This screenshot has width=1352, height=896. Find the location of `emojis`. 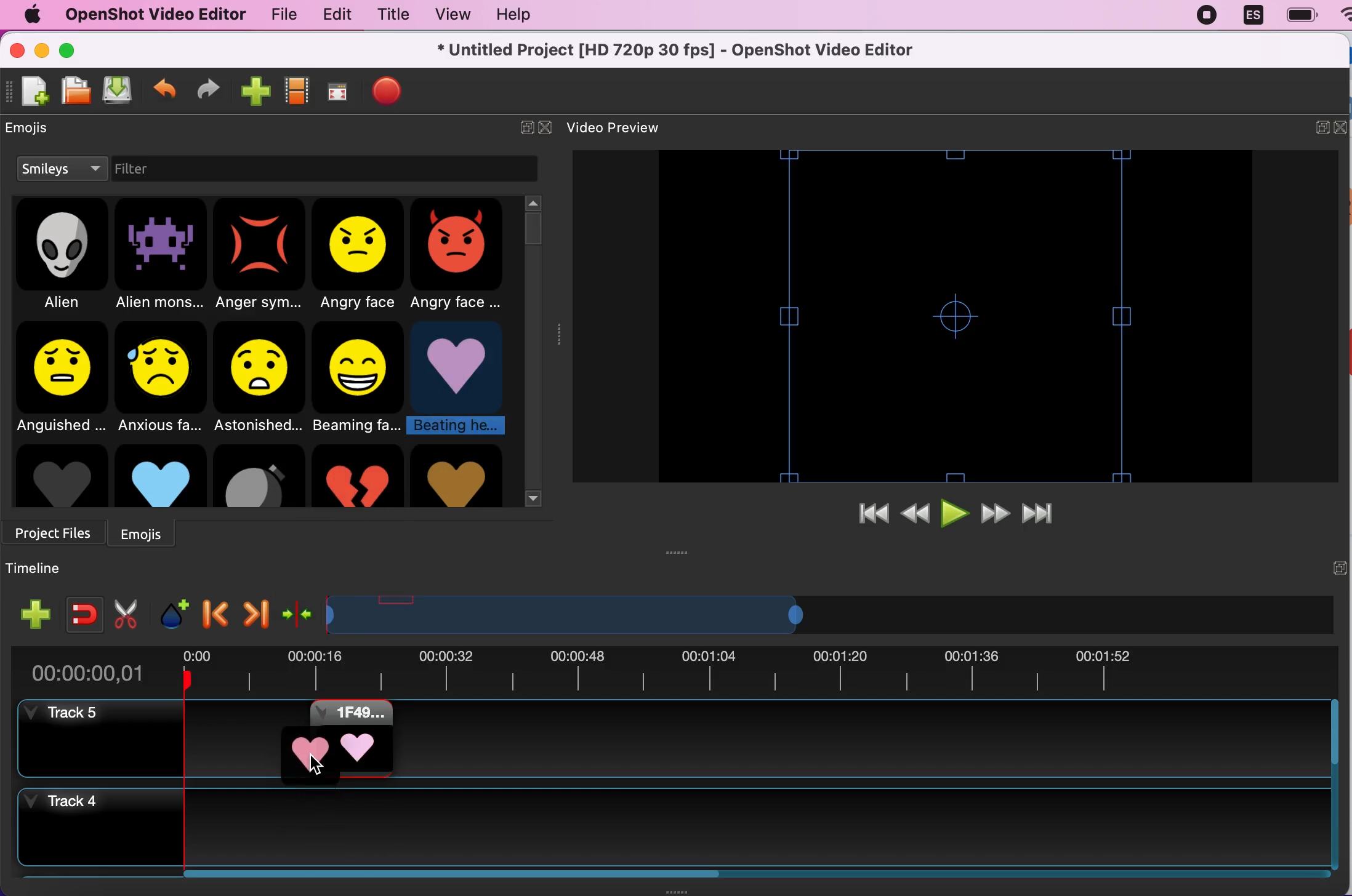

emojis is located at coordinates (38, 132).